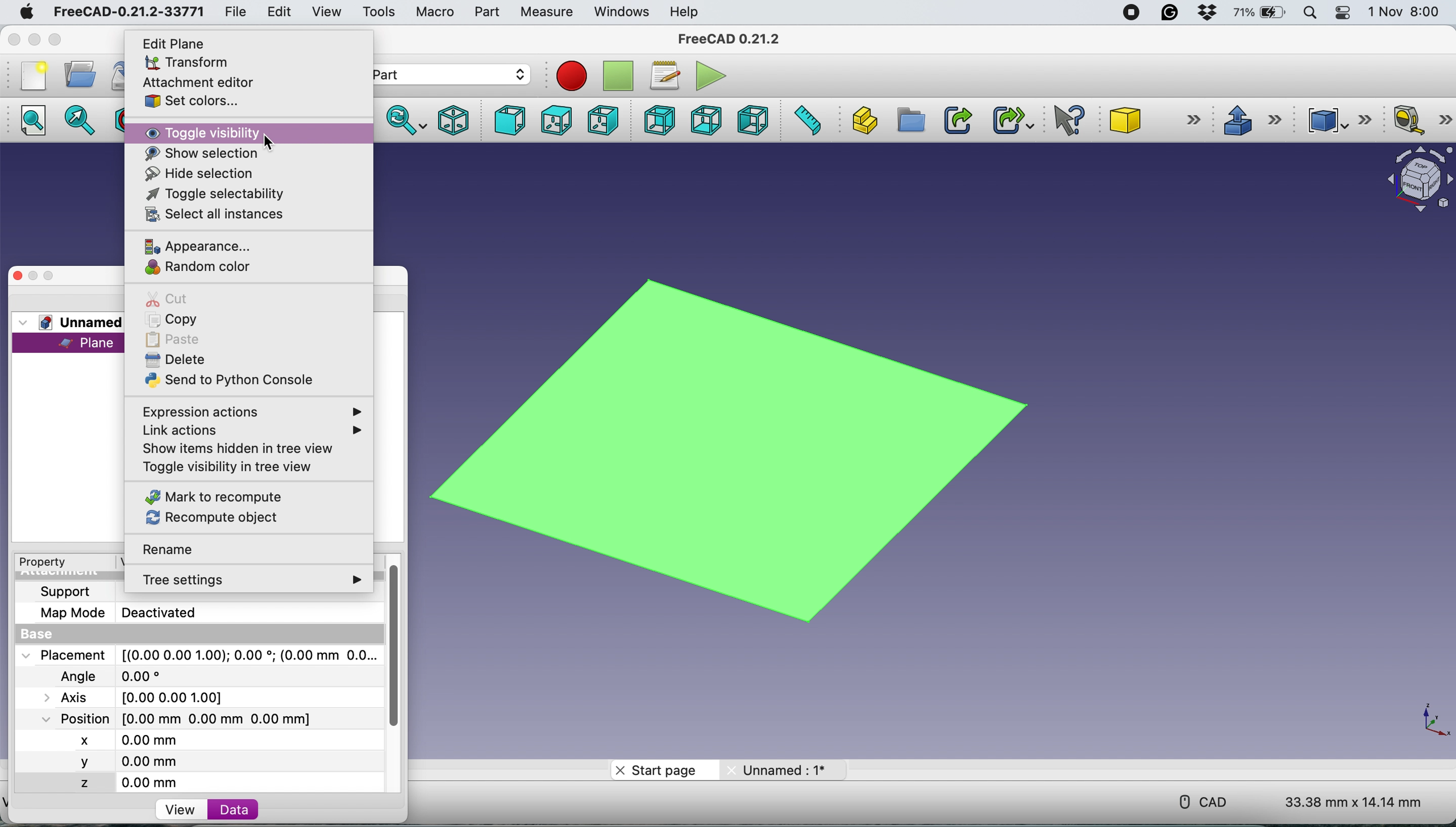 The height and width of the screenshot is (827, 1456). Describe the element at coordinates (169, 339) in the screenshot. I see `paste` at that location.